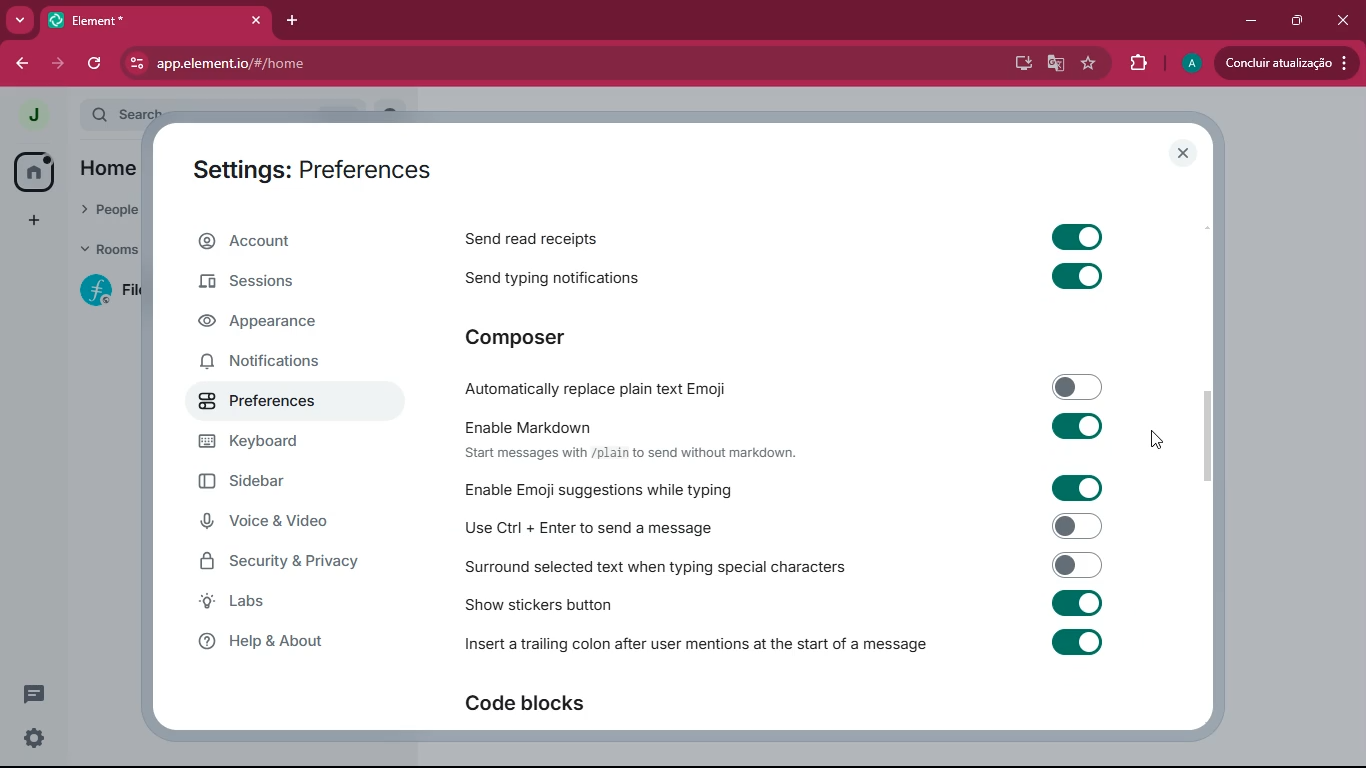 The width and height of the screenshot is (1366, 768). What do you see at coordinates (1158, 443) in the screenshot?
I see `cursor` at bounding box center [1158, 443].